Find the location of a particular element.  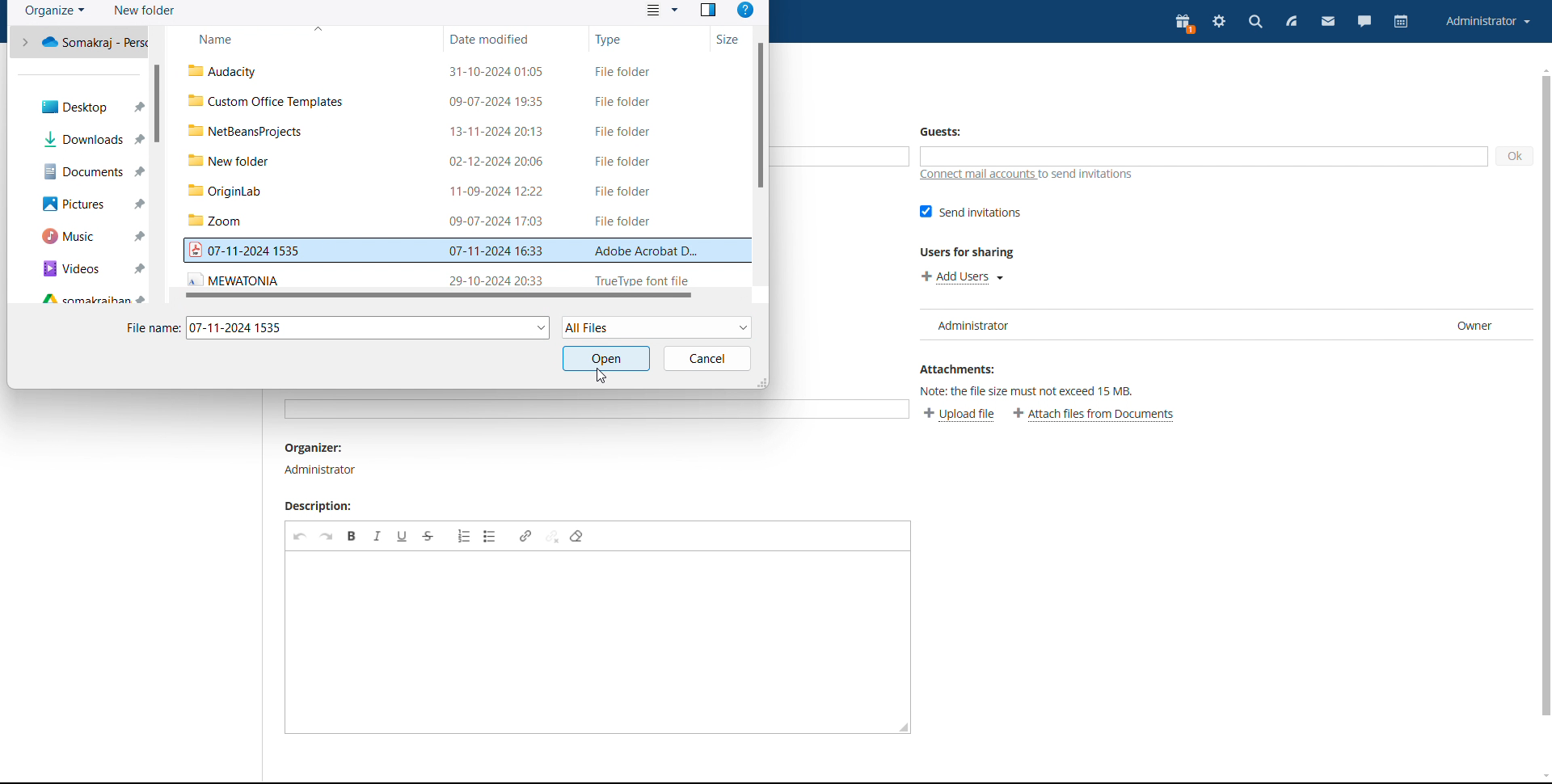

 is located at coordinates (453, 162).